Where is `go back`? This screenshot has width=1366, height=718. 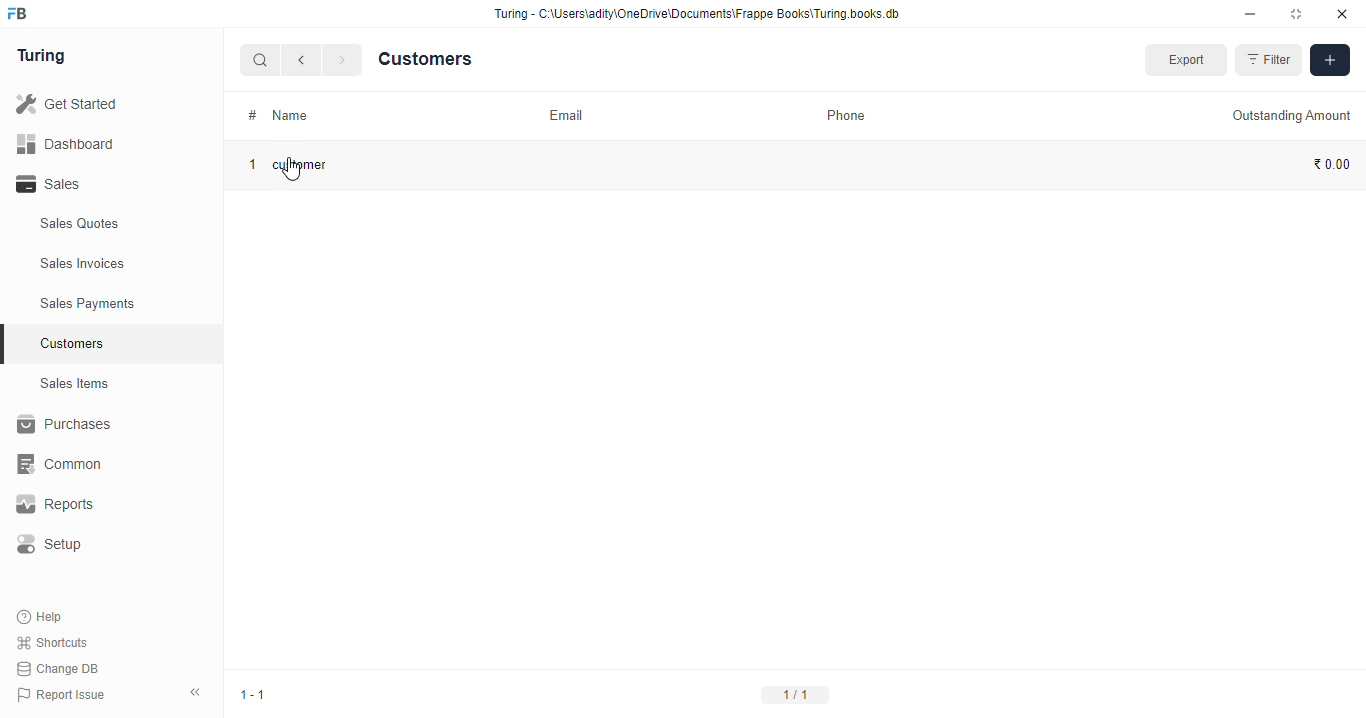
go back is located at coordinates (305, 61).